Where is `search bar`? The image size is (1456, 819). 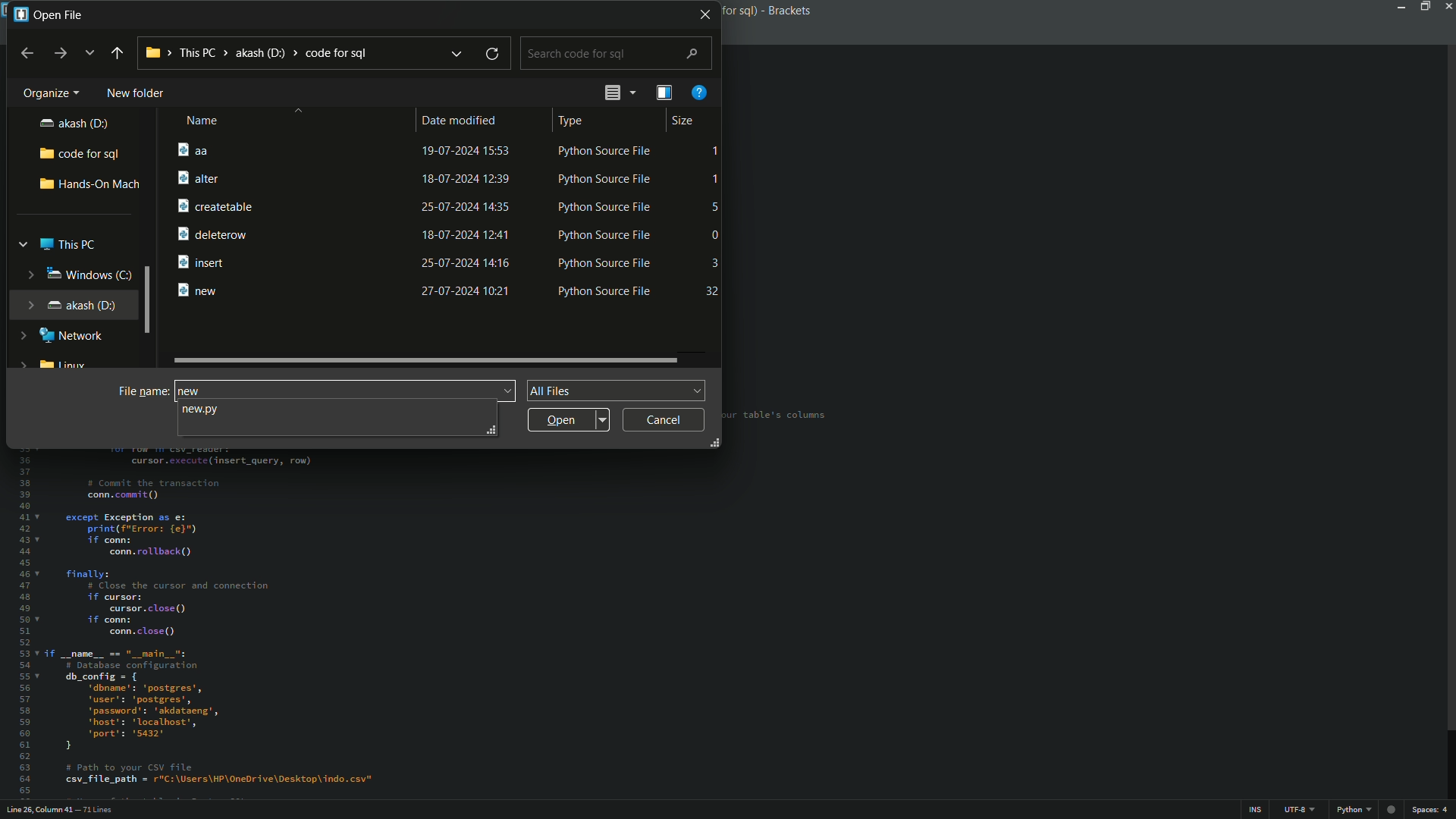
search bar is located at coordinates (620, 54).